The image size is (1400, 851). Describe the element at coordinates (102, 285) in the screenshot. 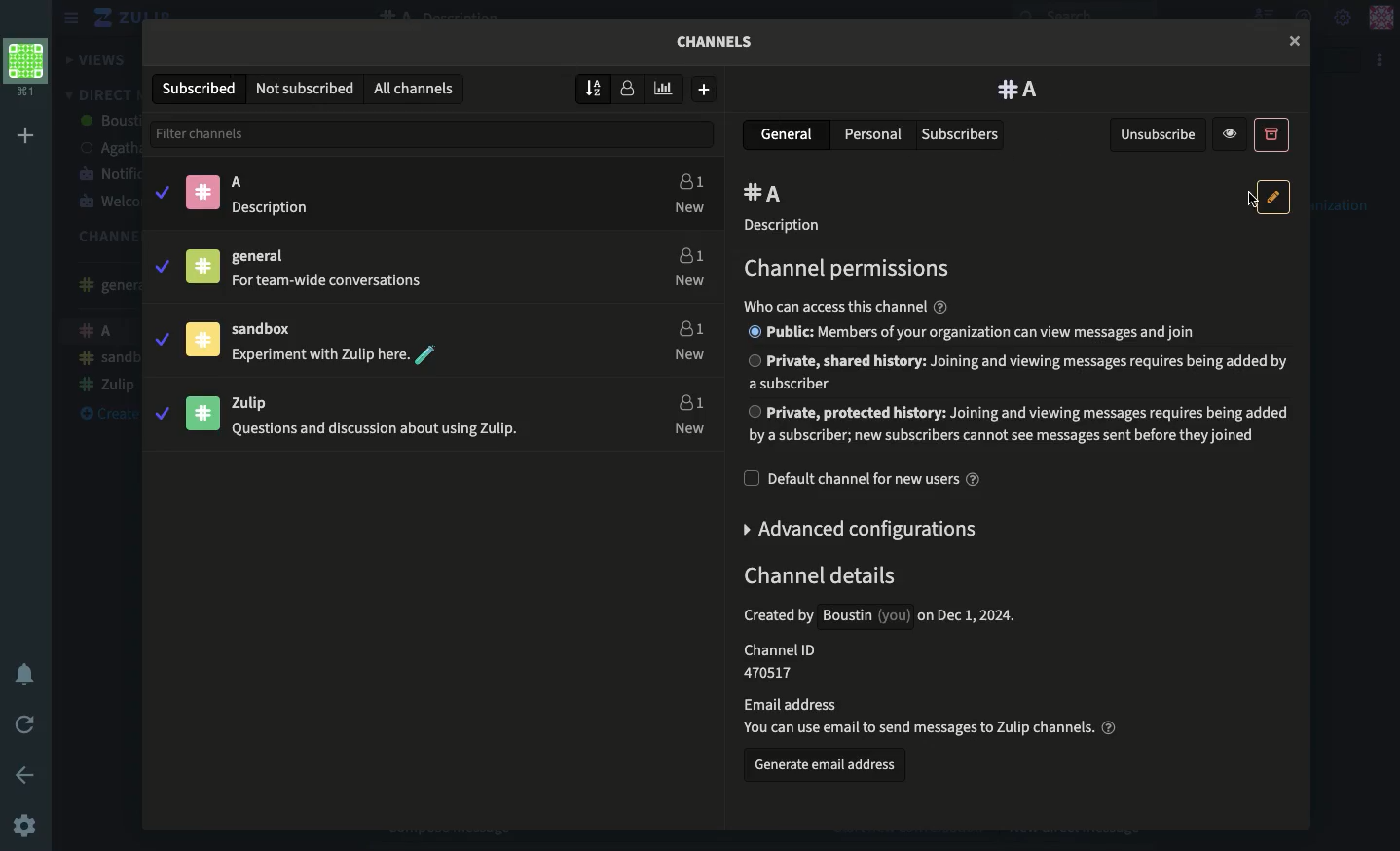

I see `General` at that location.